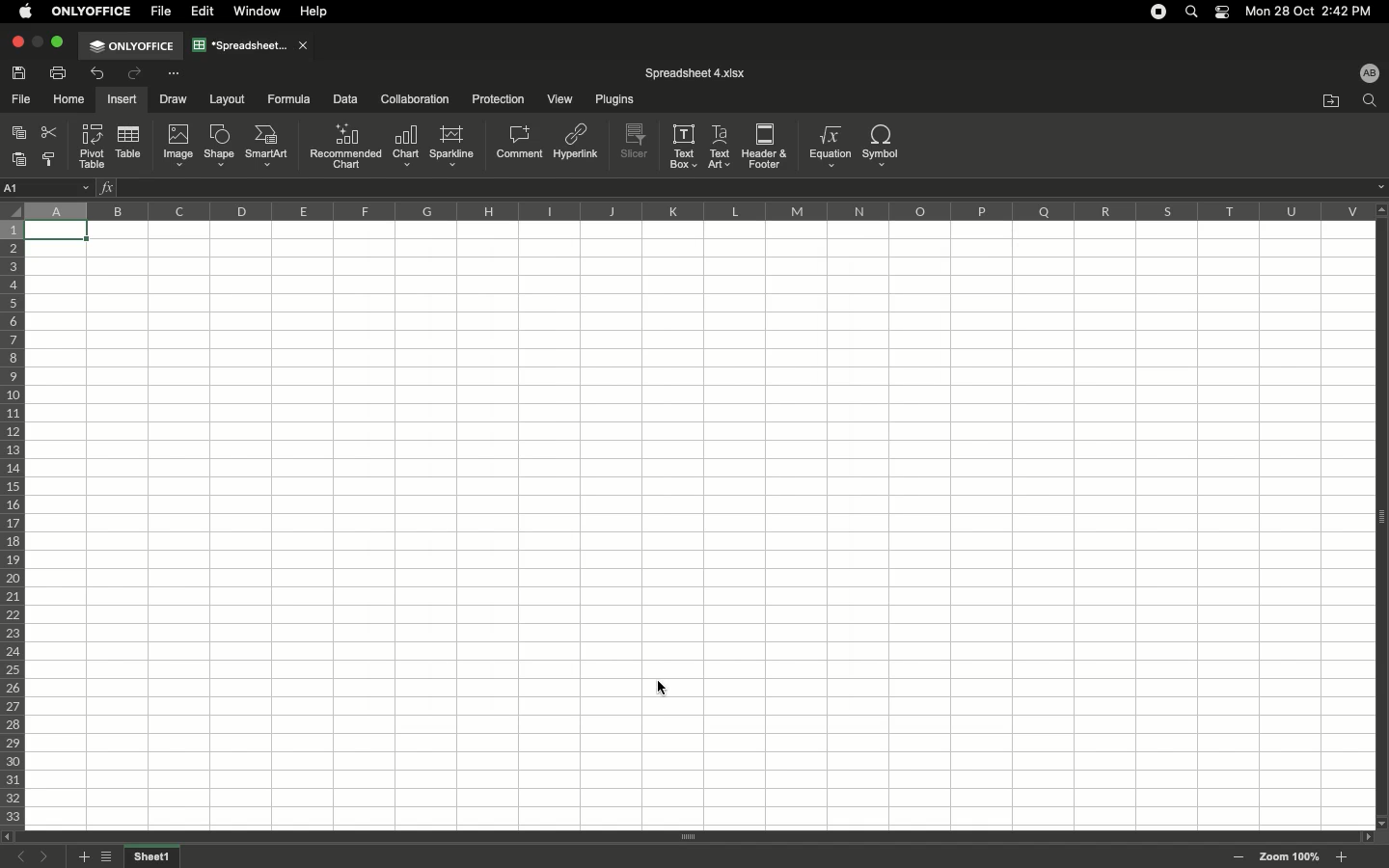 The image size is (1389, 868). Describe the element at coordinates (176, 98) in the screenshot. I see `Draw` at that location.